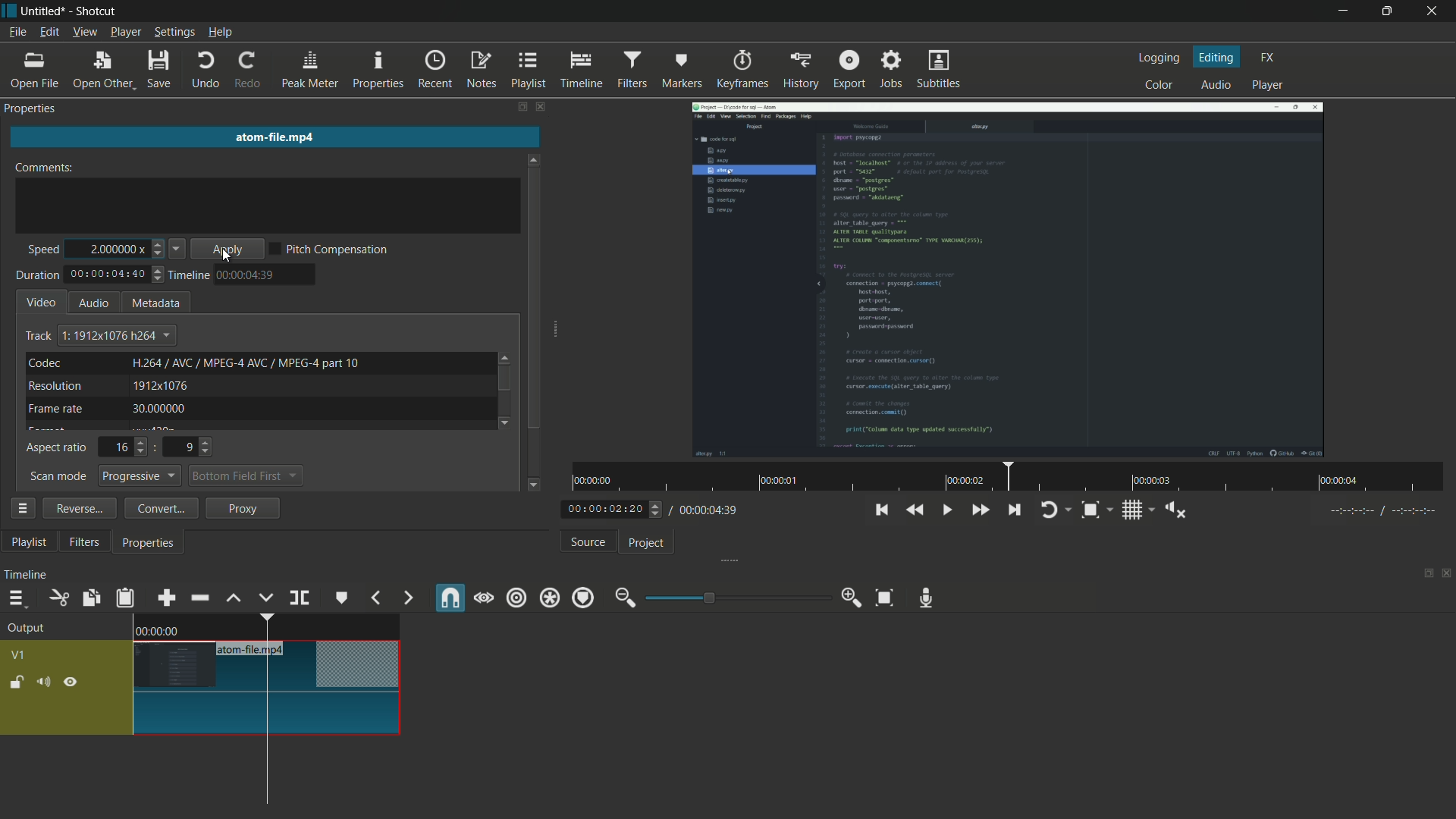  I want to click on cursor, so click(252, 698).